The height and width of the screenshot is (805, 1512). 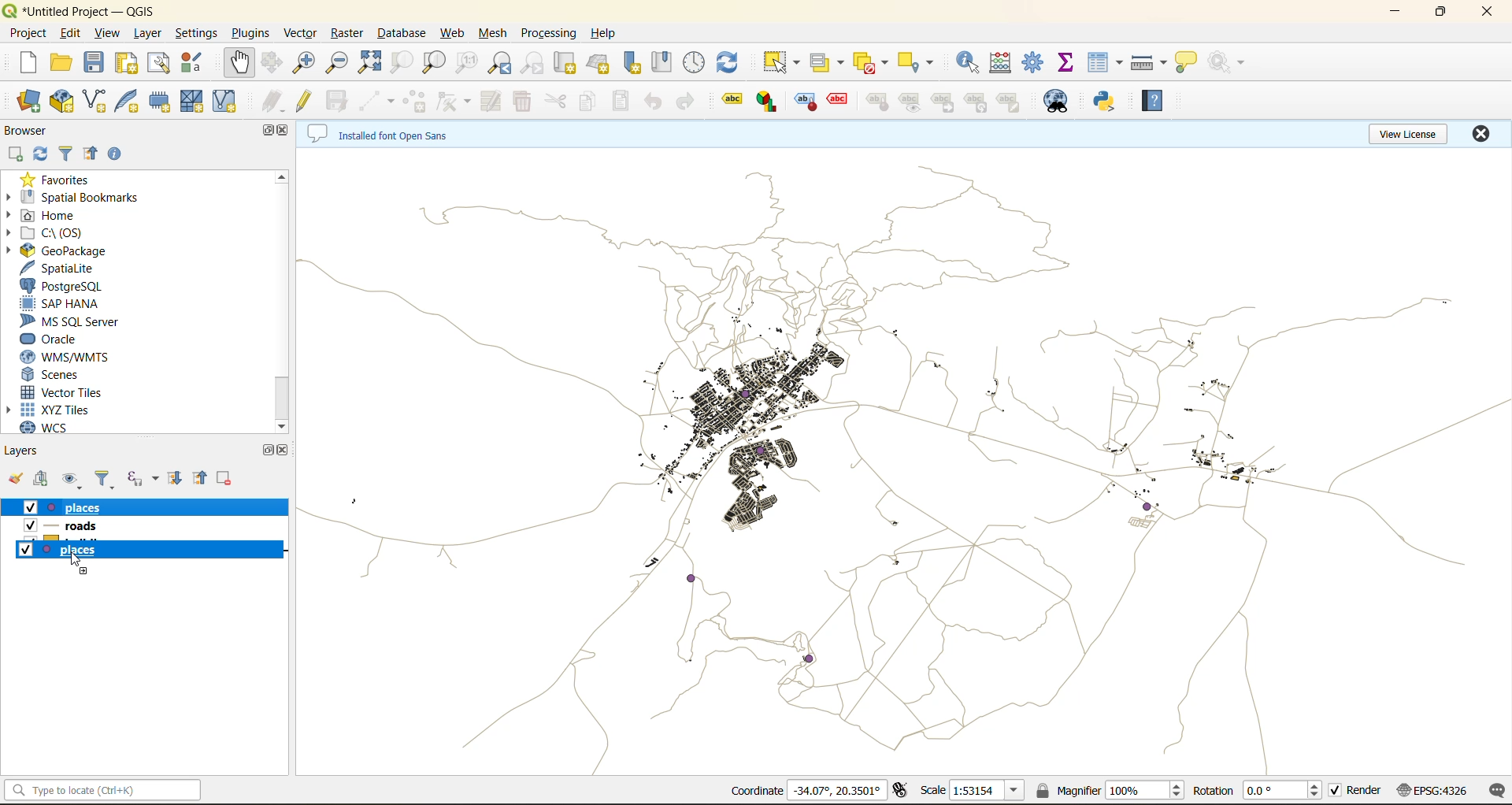 I want to click on copy, so click(x=594, y=101).